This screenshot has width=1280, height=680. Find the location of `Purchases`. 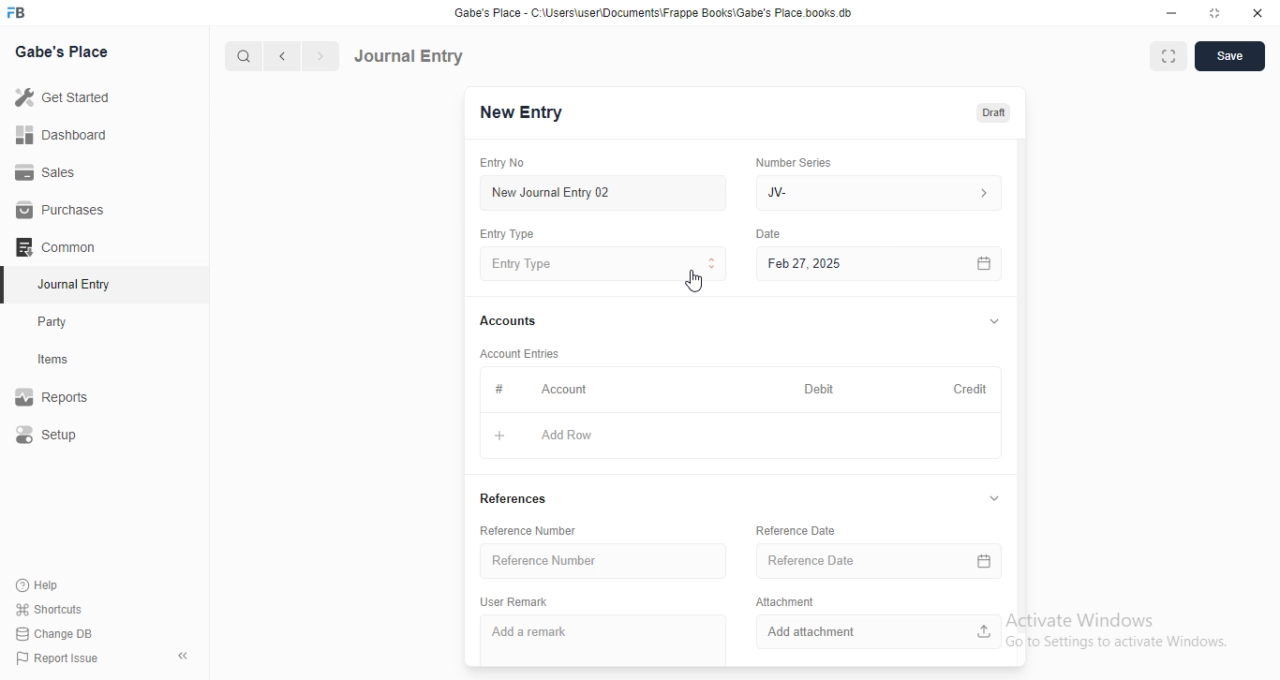

Purchases is located at coordinates (56, 208).